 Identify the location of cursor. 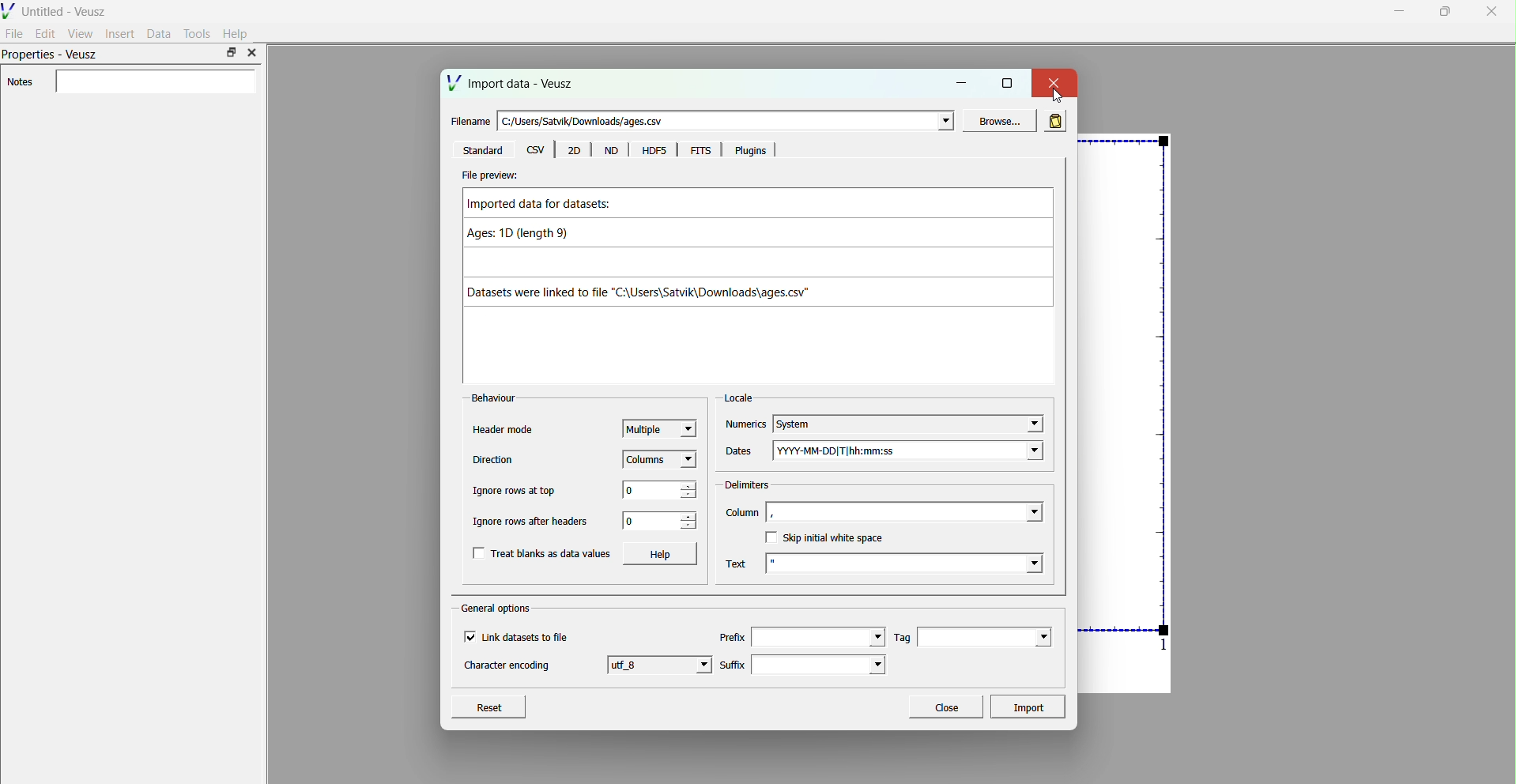
(1057, 96).